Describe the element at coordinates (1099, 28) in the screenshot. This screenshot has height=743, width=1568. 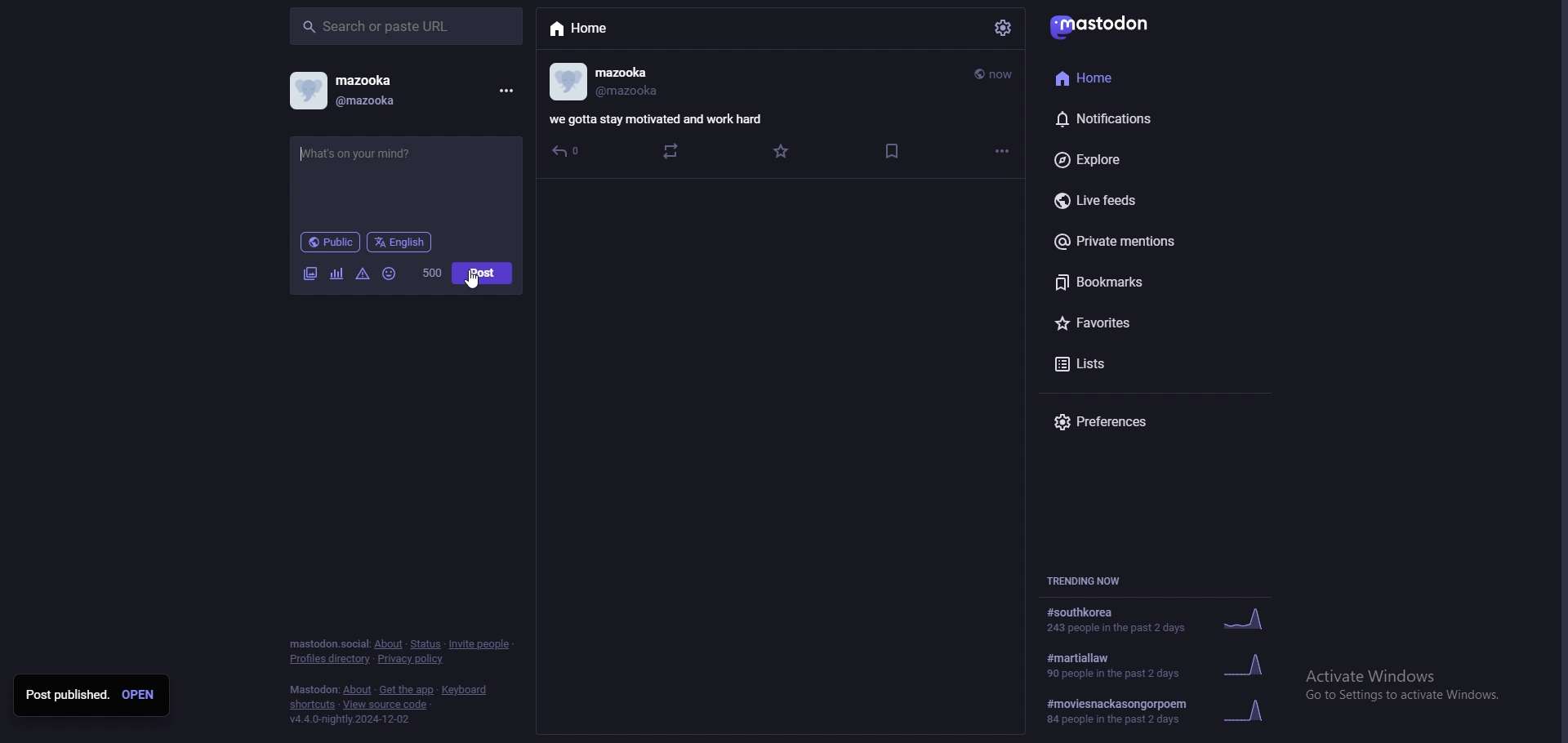
I see `mastodon` at that location.